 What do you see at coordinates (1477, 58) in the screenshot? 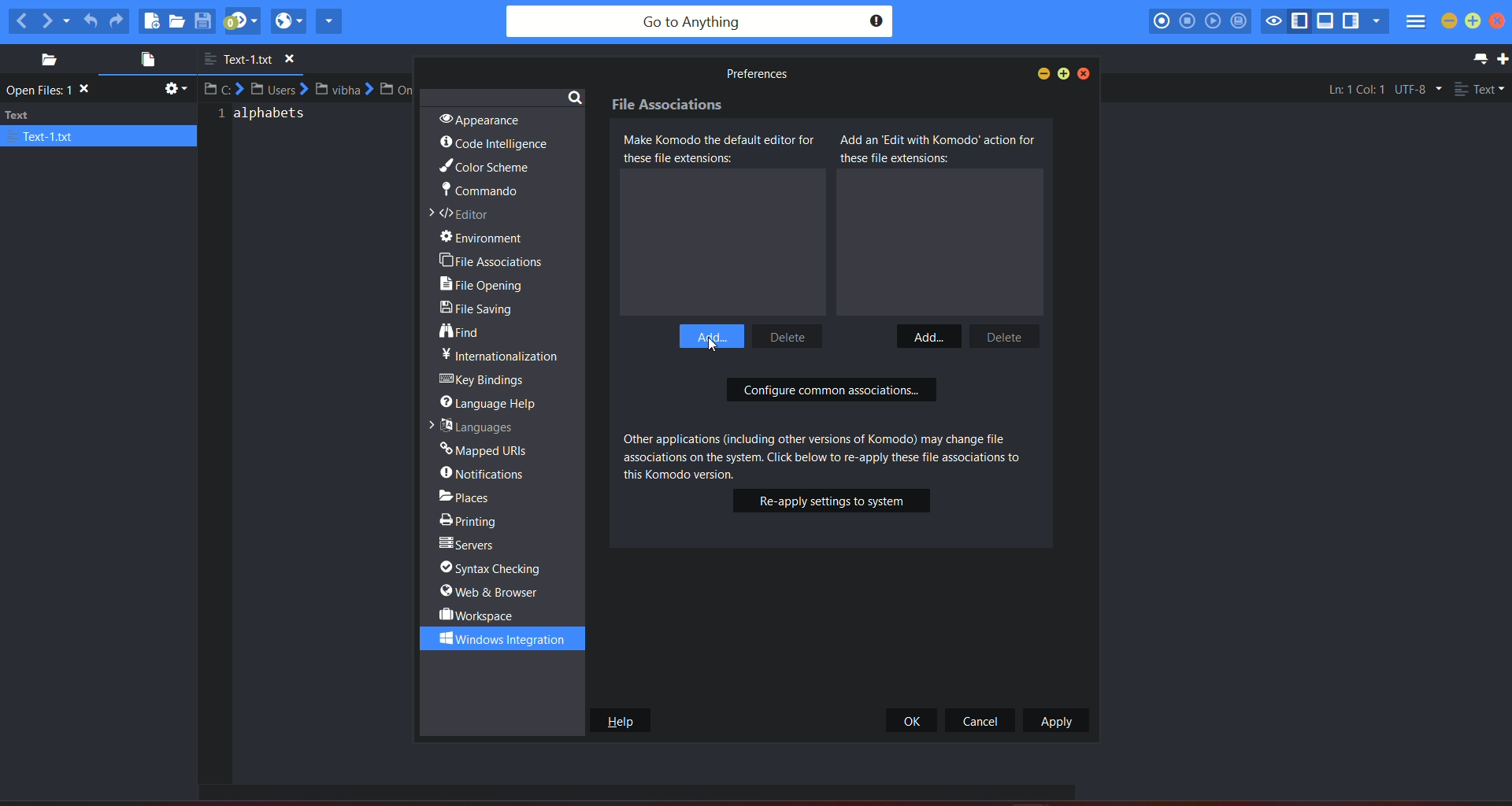
I see `list all tab` at bounding box center [1477, 58].